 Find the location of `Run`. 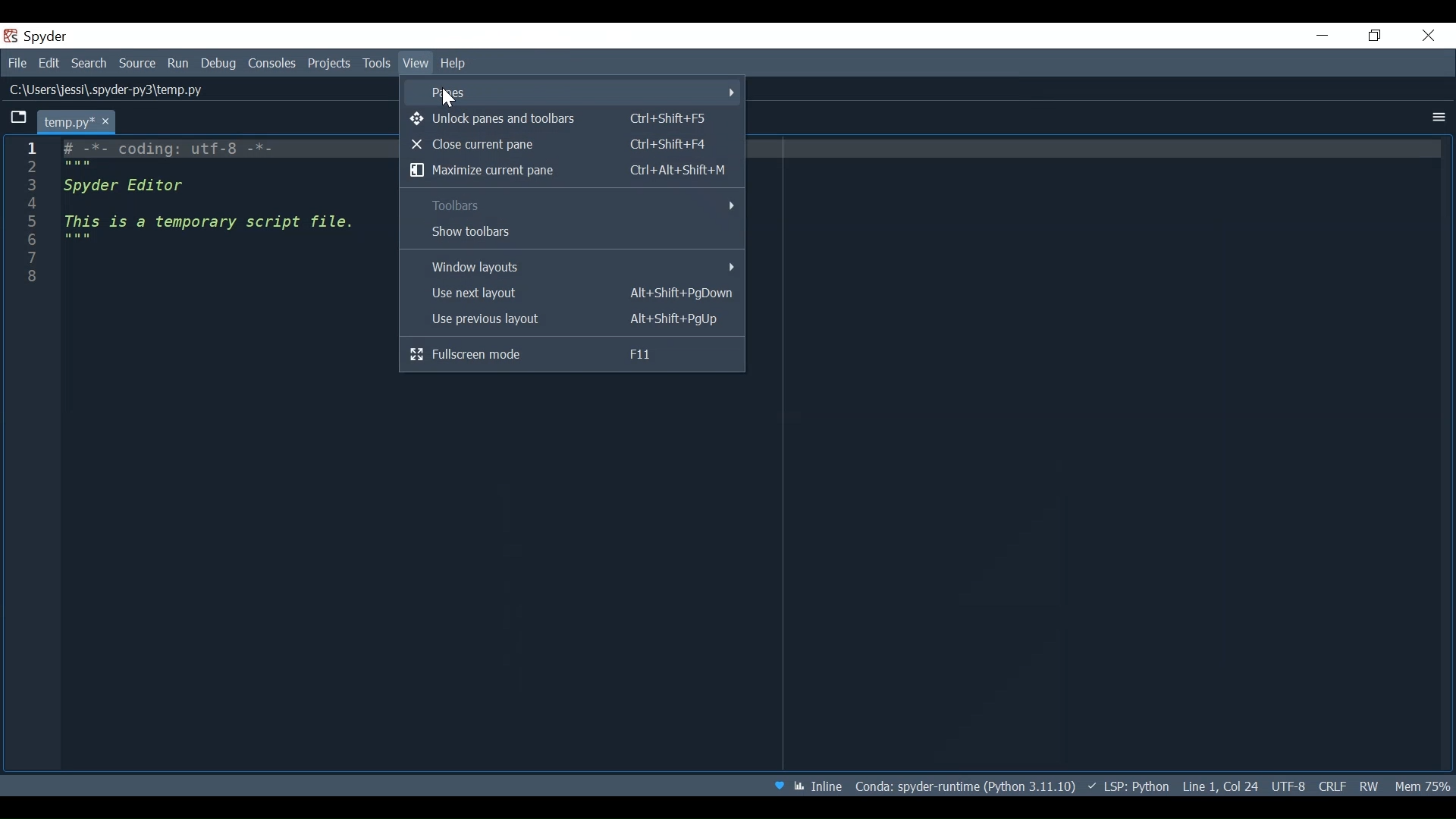

Run is located at coordinates (180, 63).